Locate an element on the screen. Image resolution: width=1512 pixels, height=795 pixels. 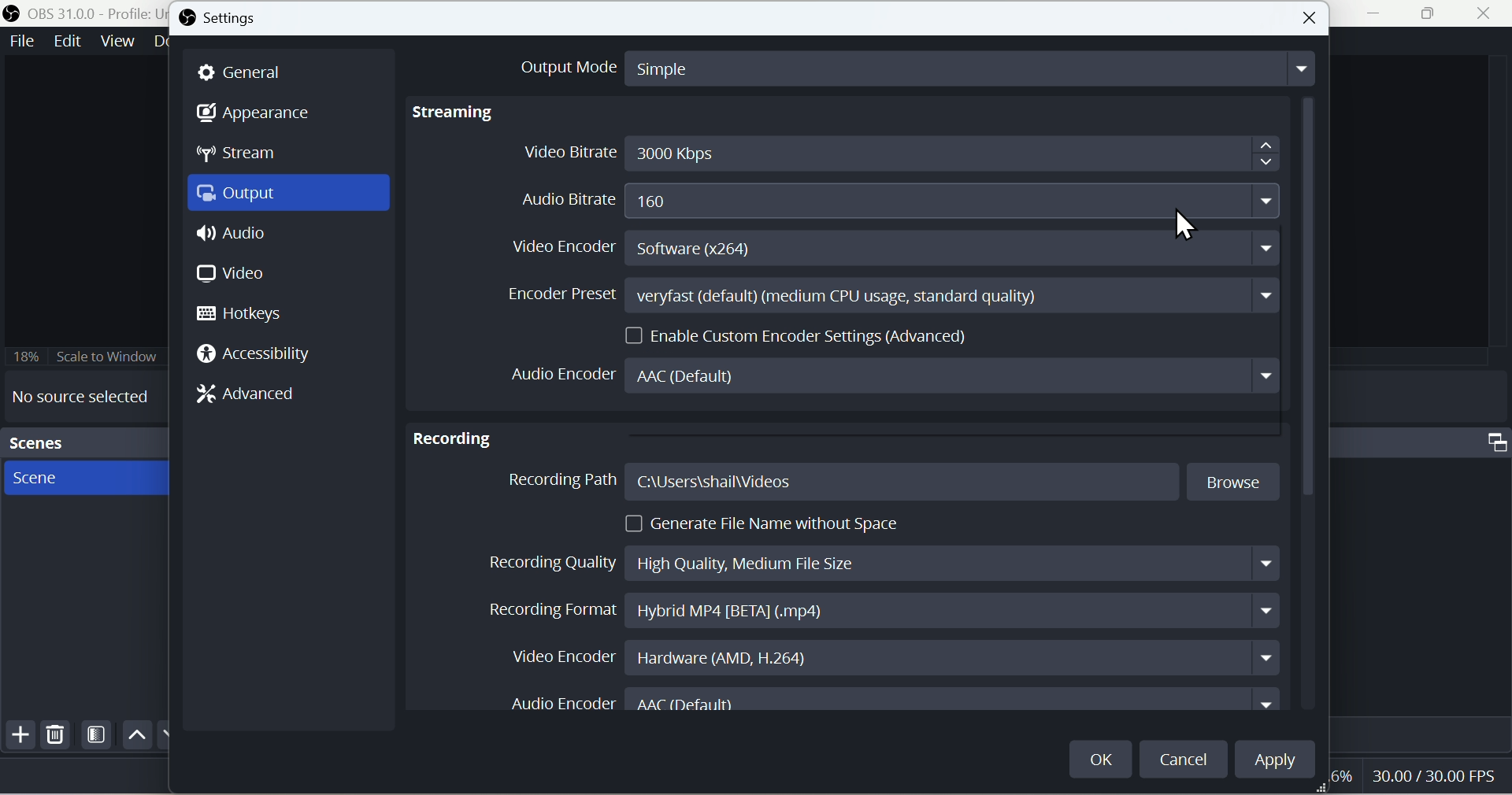
View is located at coordinates (117, 42).